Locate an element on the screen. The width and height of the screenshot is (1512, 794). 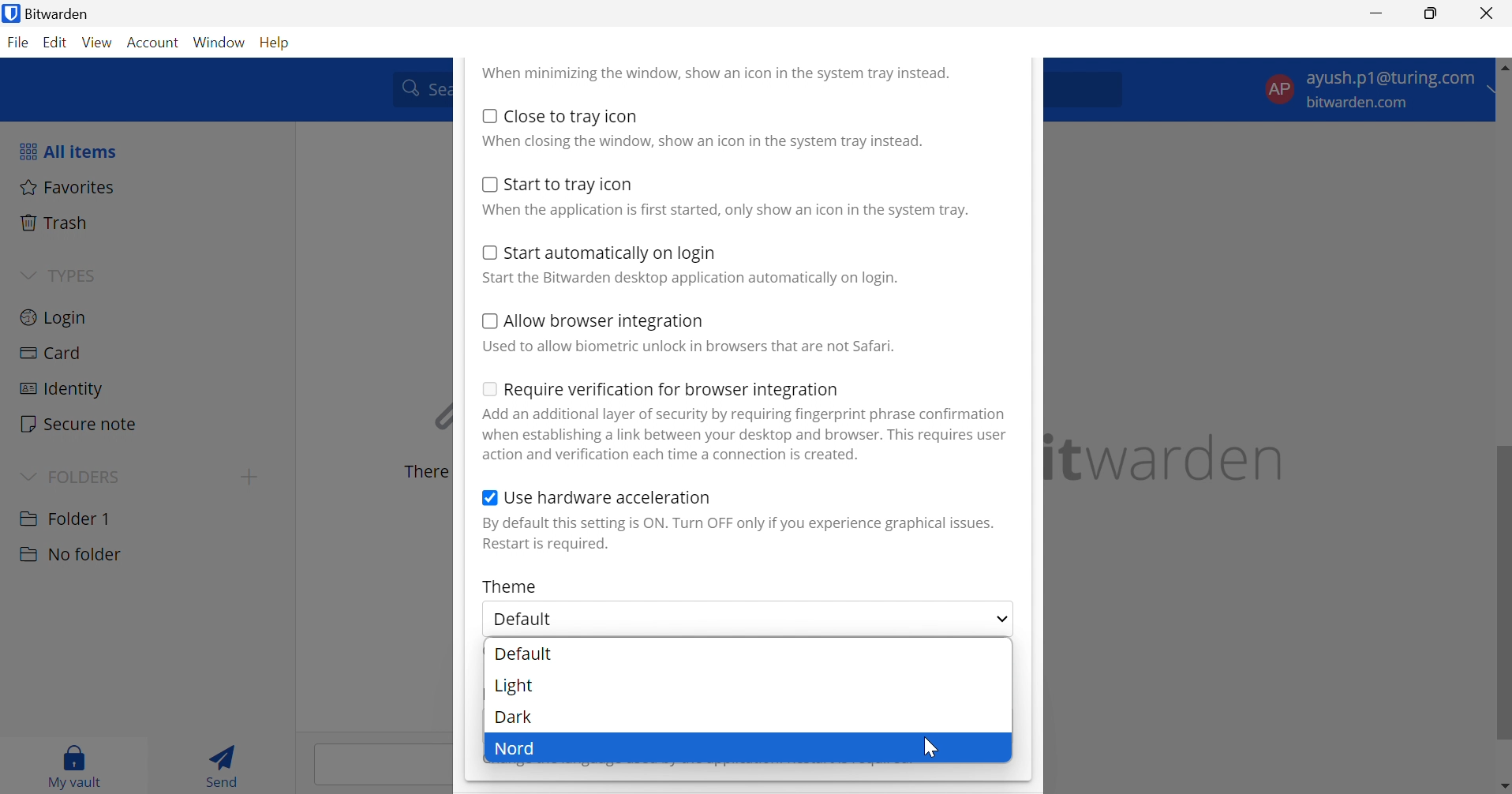
Checkbox is located at coordinates (488, 321).